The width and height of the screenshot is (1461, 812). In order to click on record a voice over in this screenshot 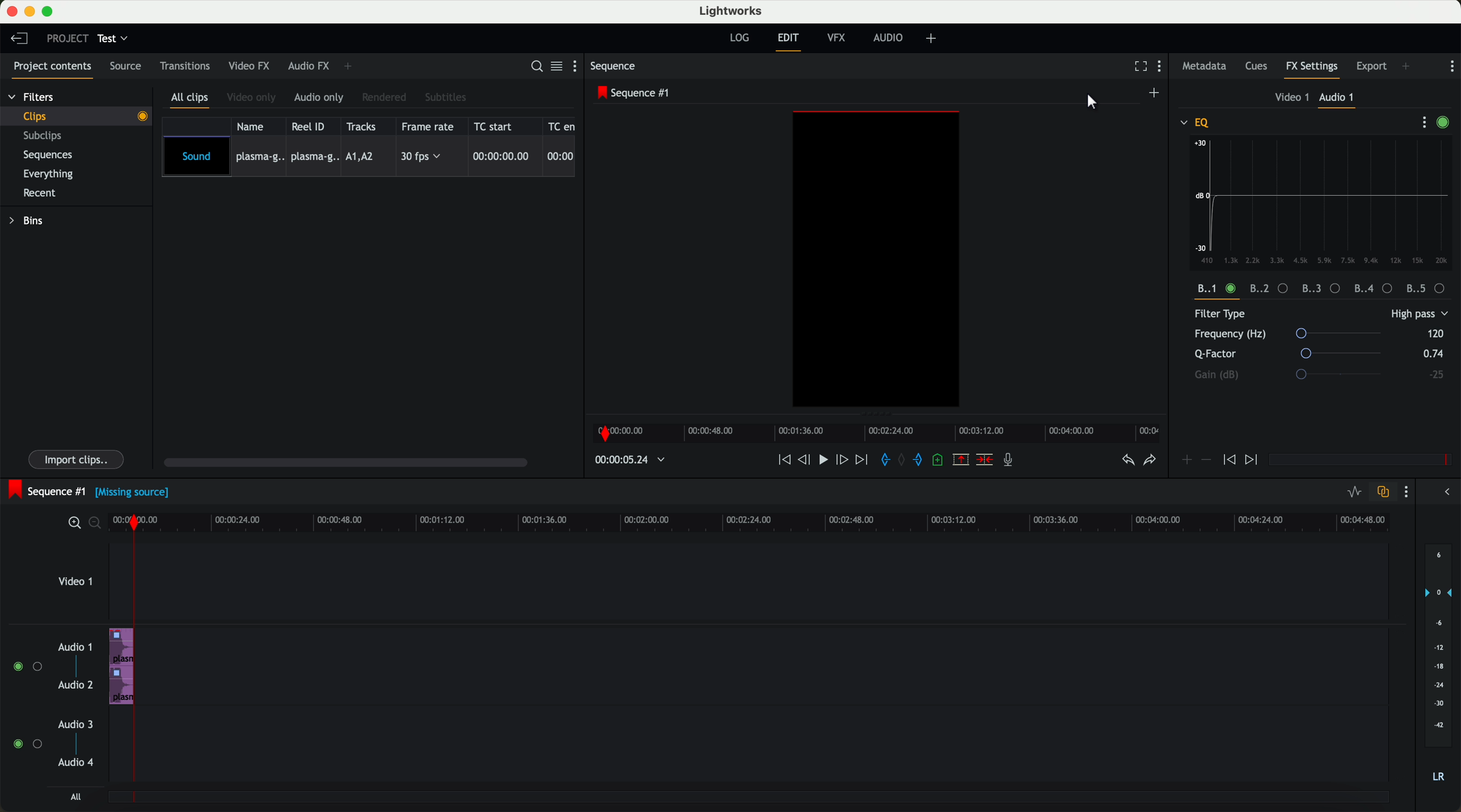, I will do `click(1011, 462)`.